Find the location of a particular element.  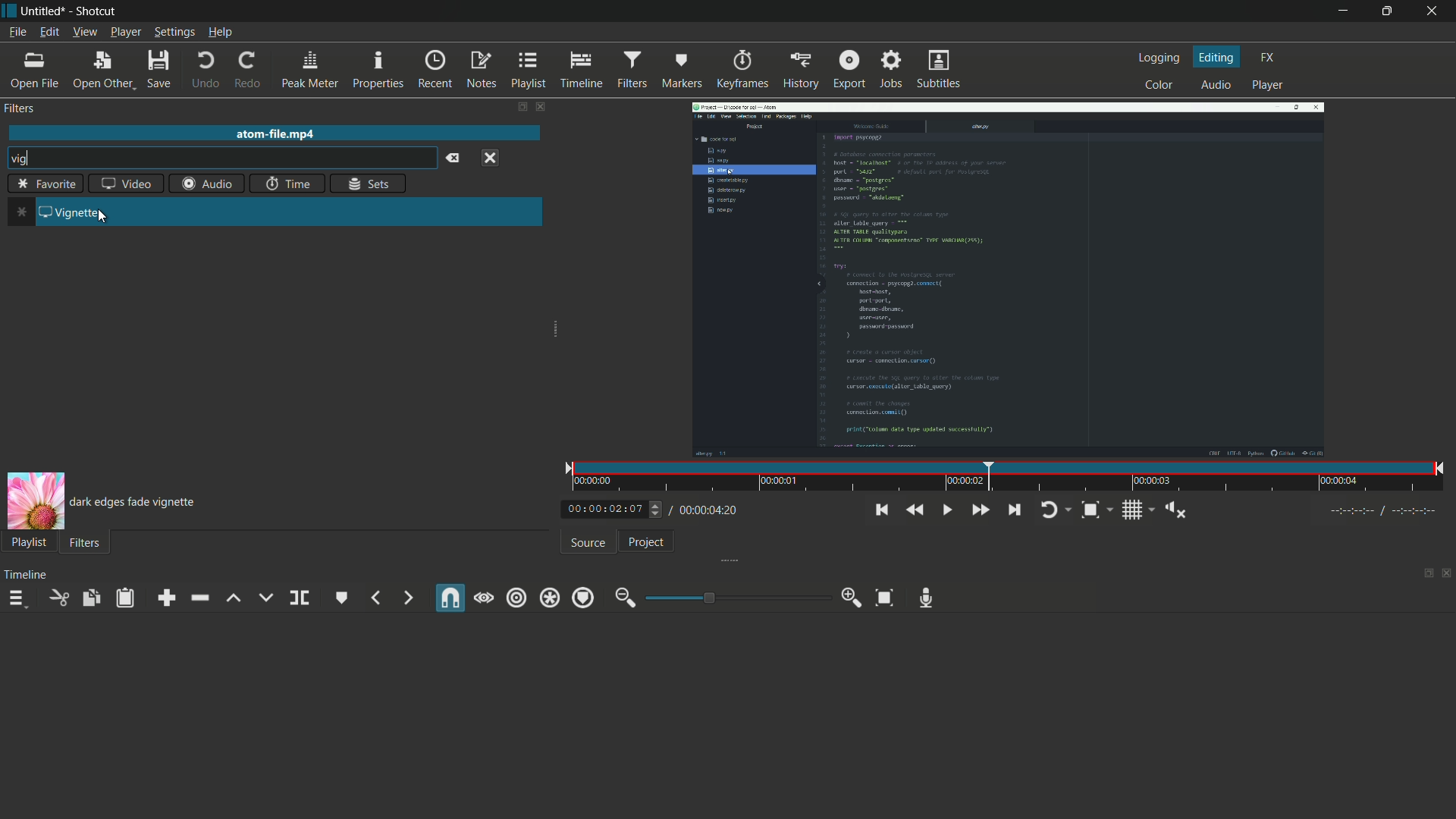

scrub while dragging is located at coordinates (484, 598).